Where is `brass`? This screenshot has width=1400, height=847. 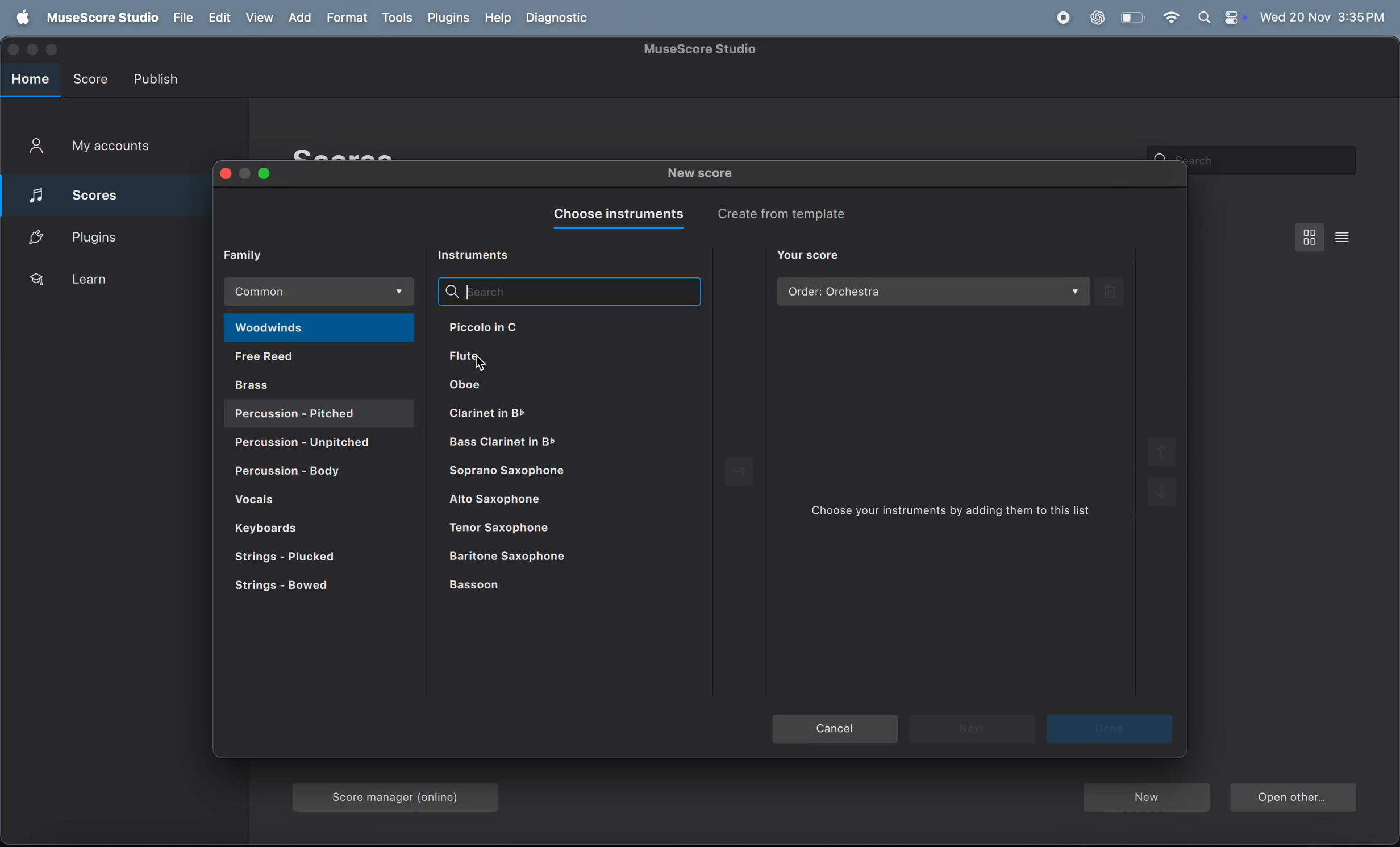
brass is located at coordinates (322, 384).